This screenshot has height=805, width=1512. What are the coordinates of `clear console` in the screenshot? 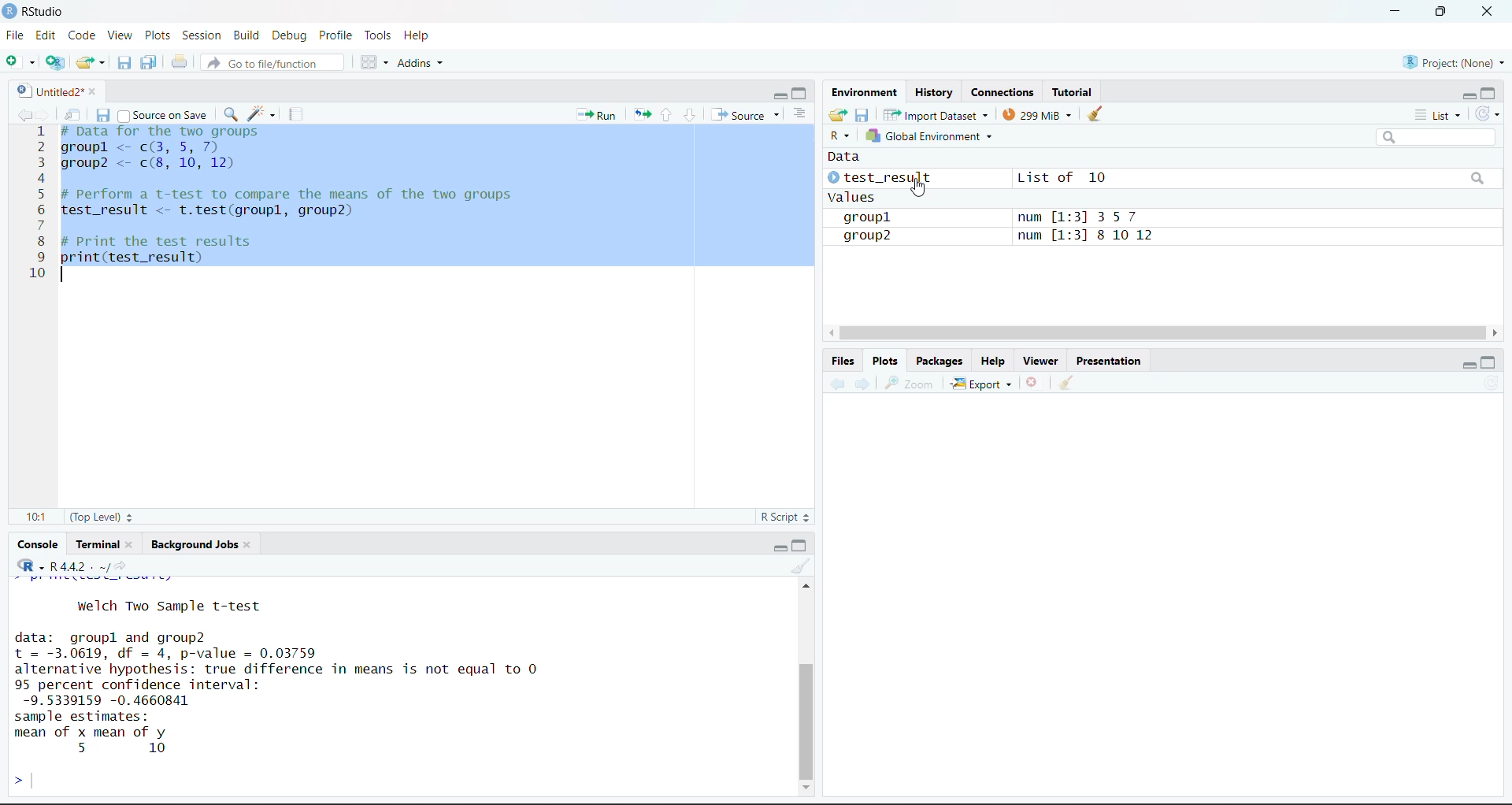 It's located at (799, 566).